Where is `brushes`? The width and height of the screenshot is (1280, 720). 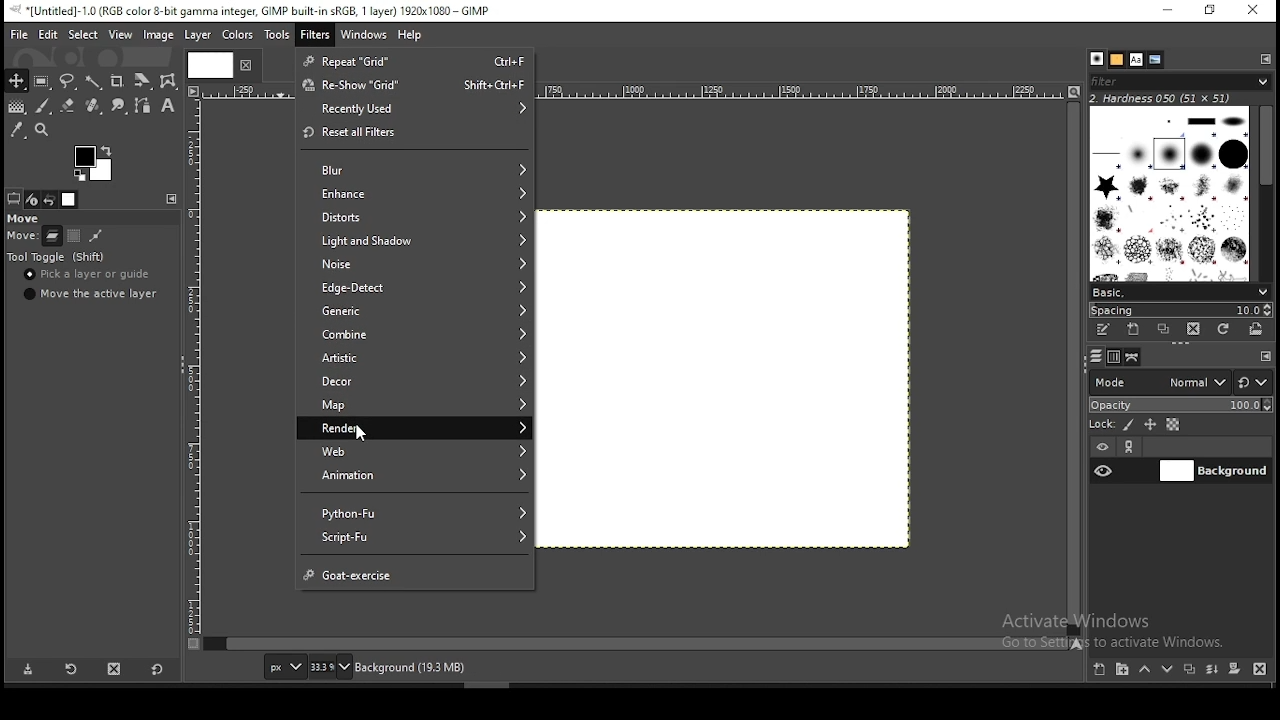 brushes is located at coordinates (1097, 58).